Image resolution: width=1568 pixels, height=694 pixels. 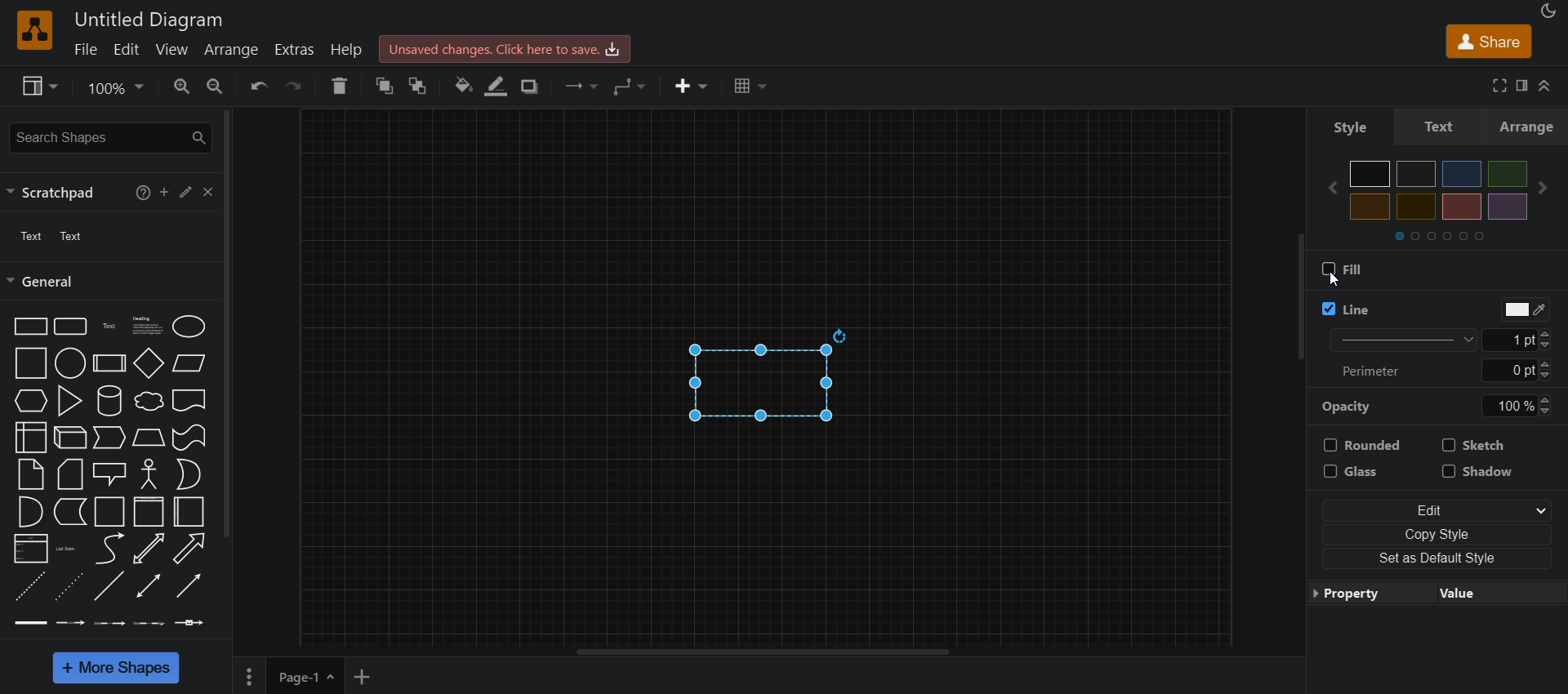 What do you see at coordinates (1361, 471) in the screenshot?
I see `glass` at bounding box center [1361, 471].